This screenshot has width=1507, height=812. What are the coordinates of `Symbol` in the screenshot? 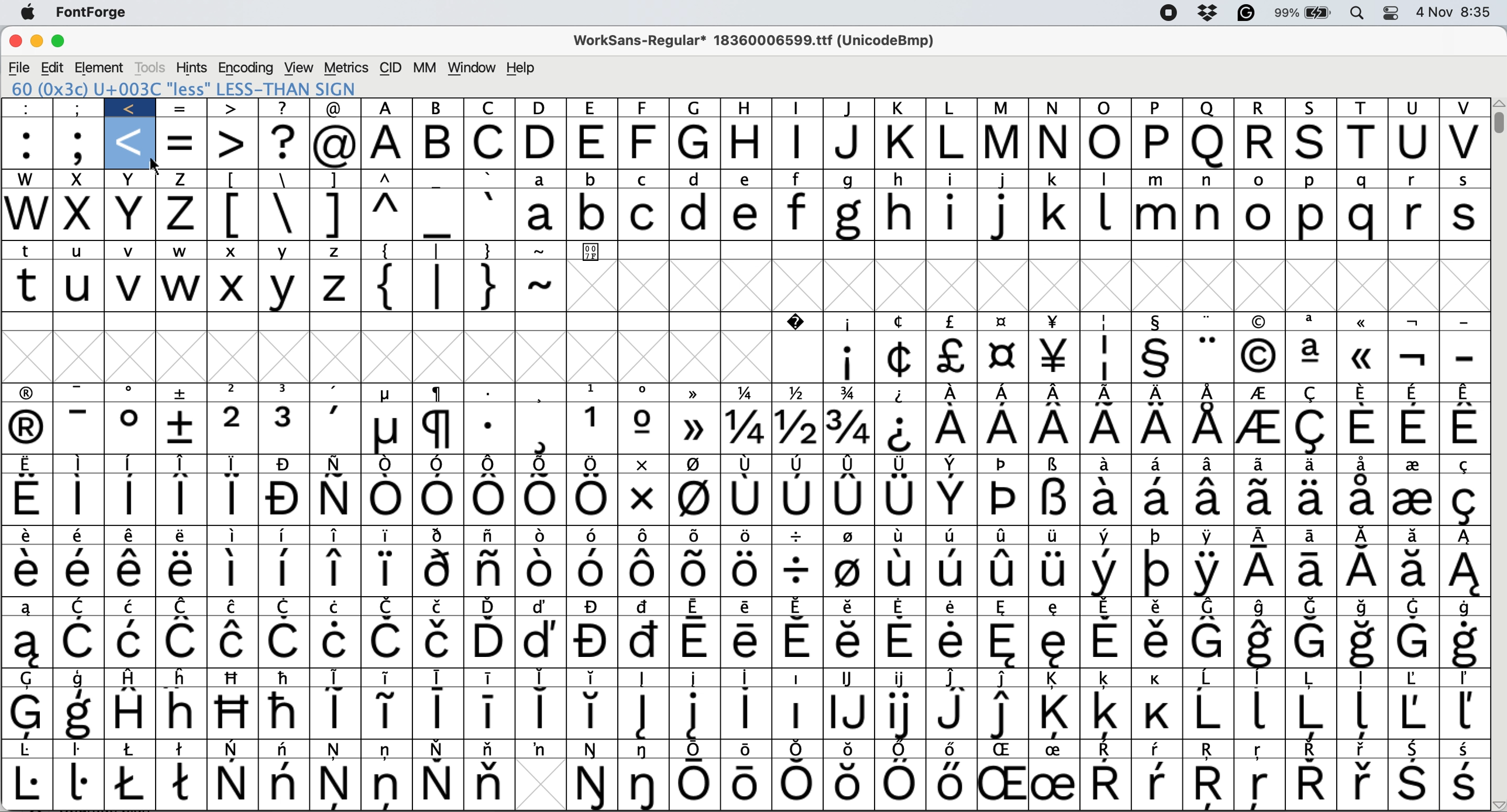 It's located at (1003, 607).